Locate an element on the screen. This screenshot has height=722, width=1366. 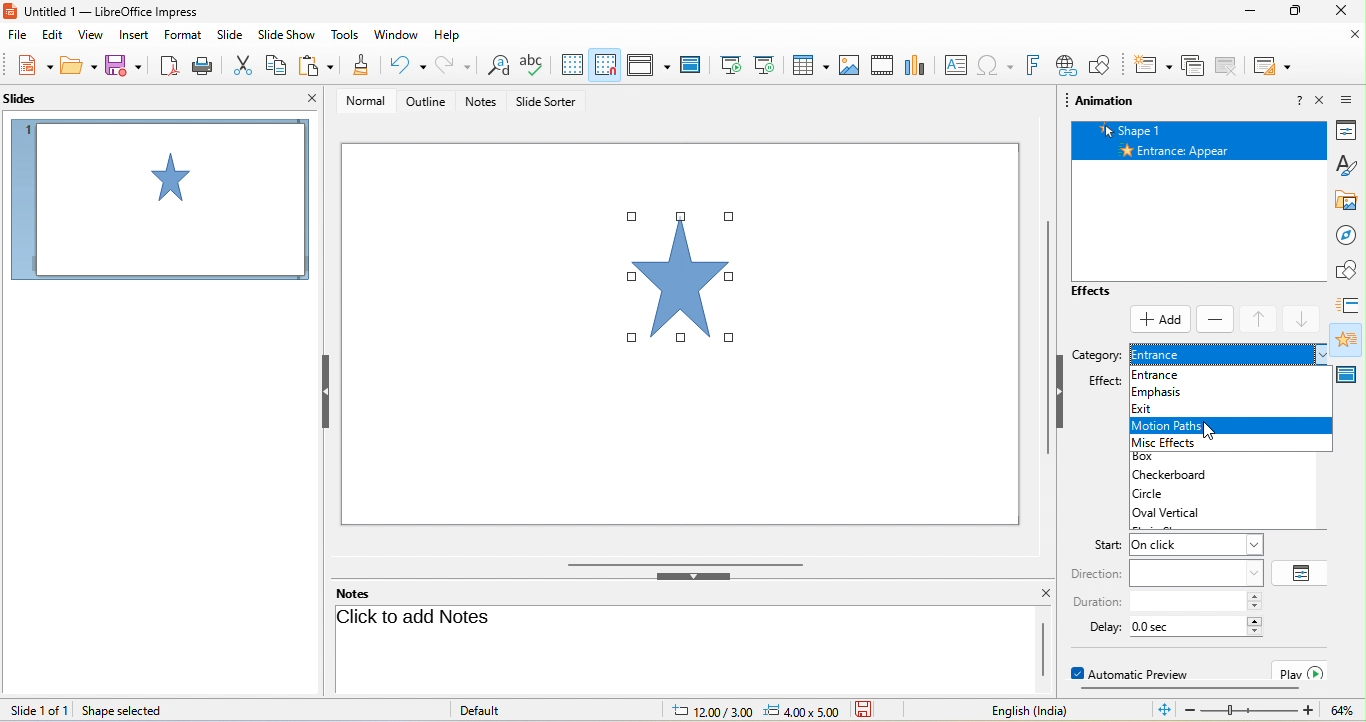
image is located at coordinates (847, 65).